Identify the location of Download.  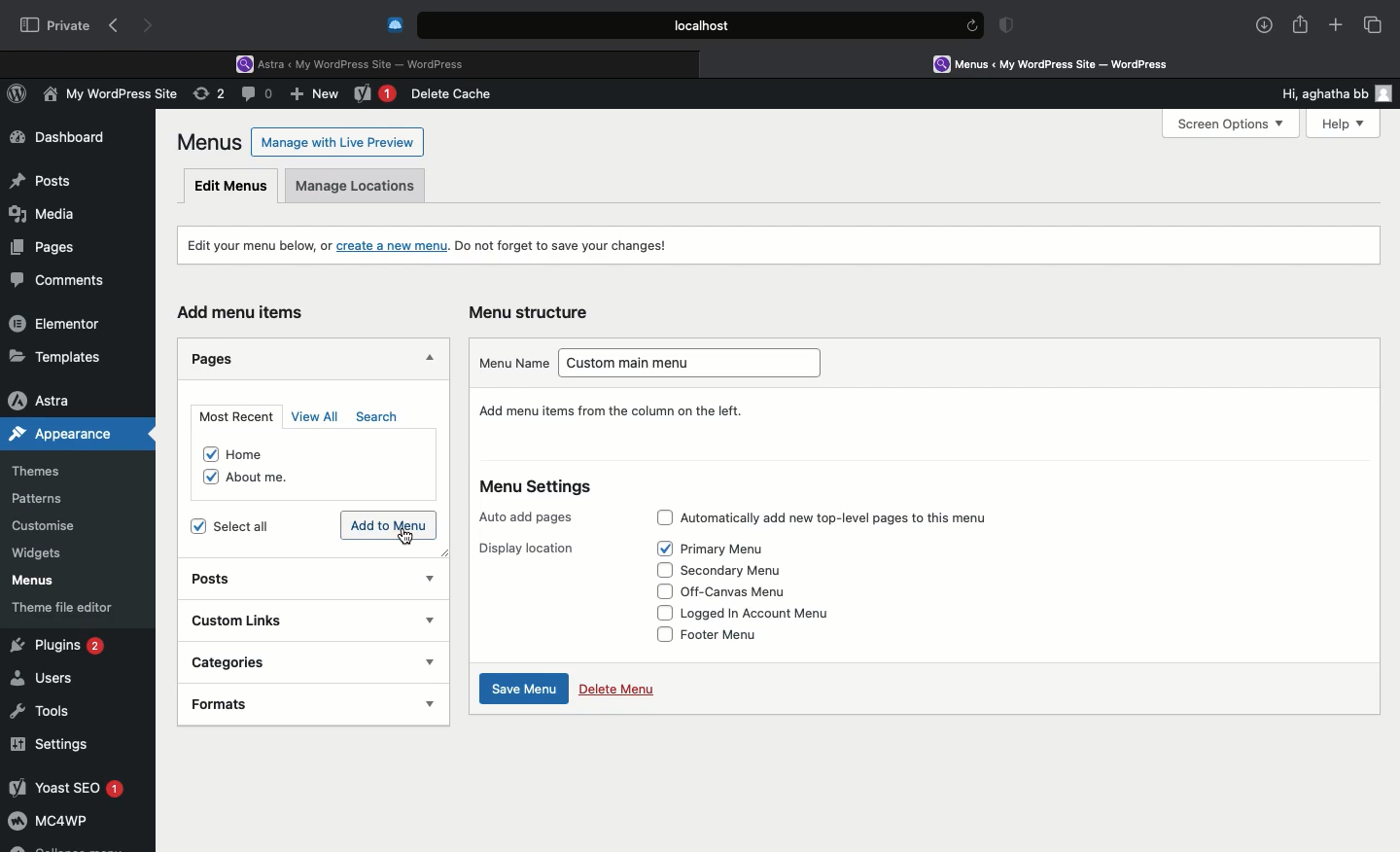
(1265, 25).